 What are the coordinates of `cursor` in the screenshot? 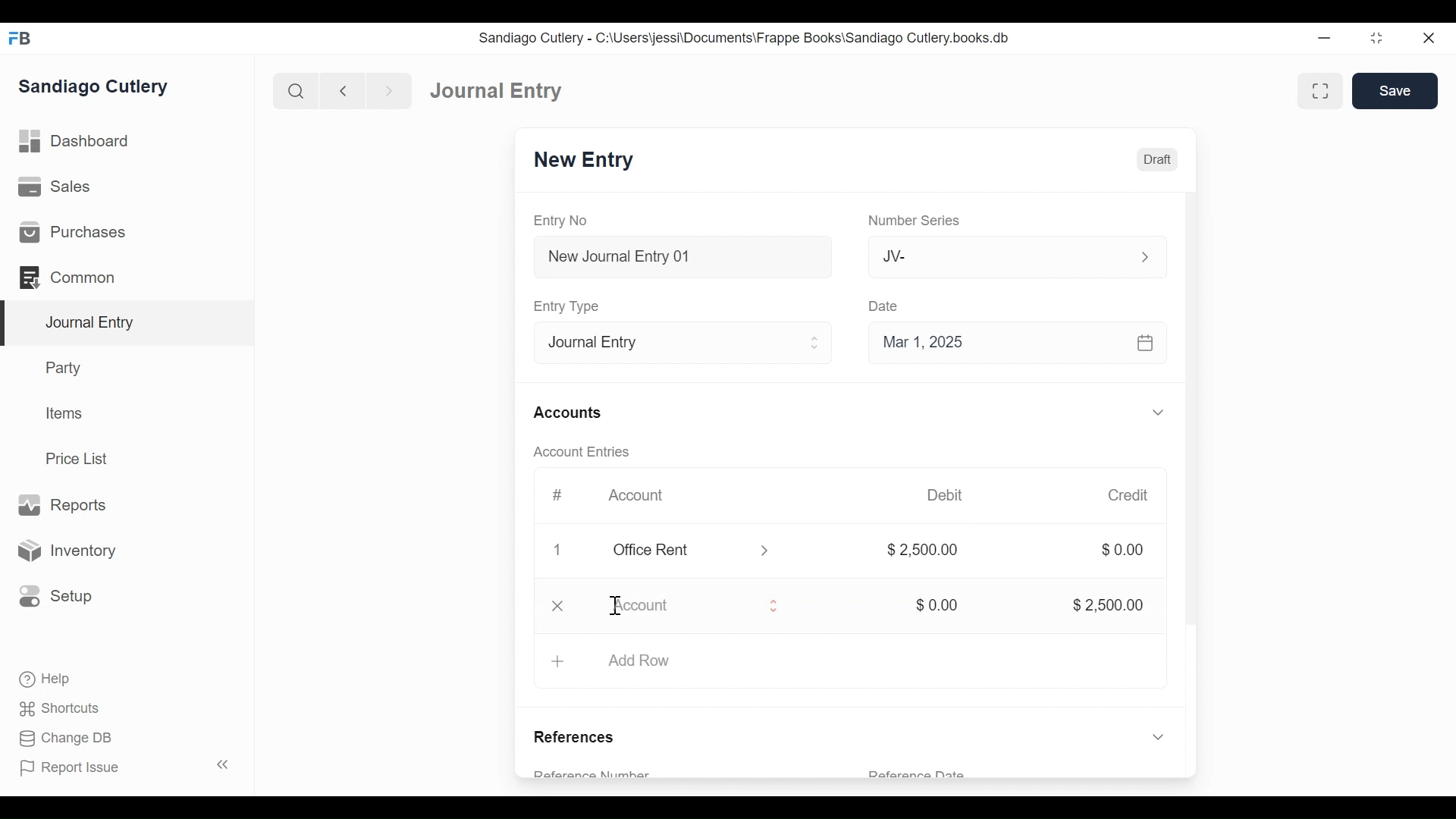 It's located at (616, 605).